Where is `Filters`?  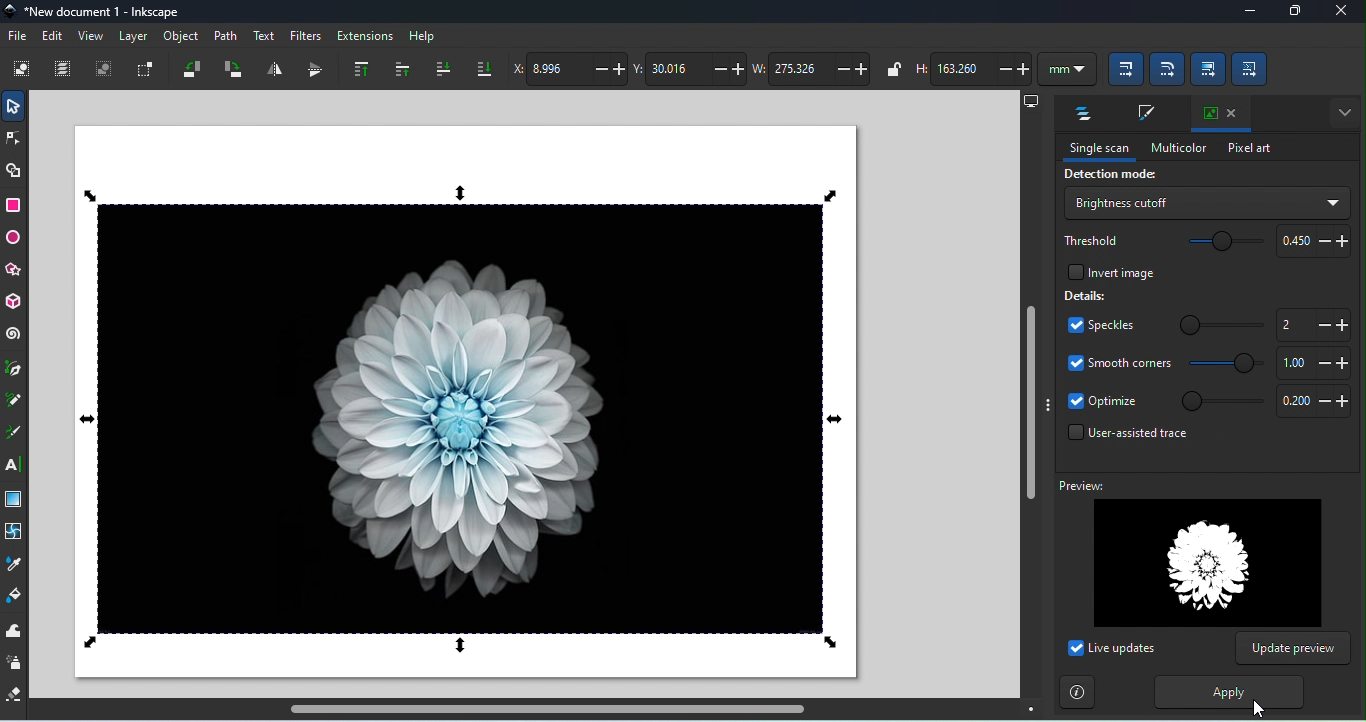 Filters is located at coordinates (306, 34).